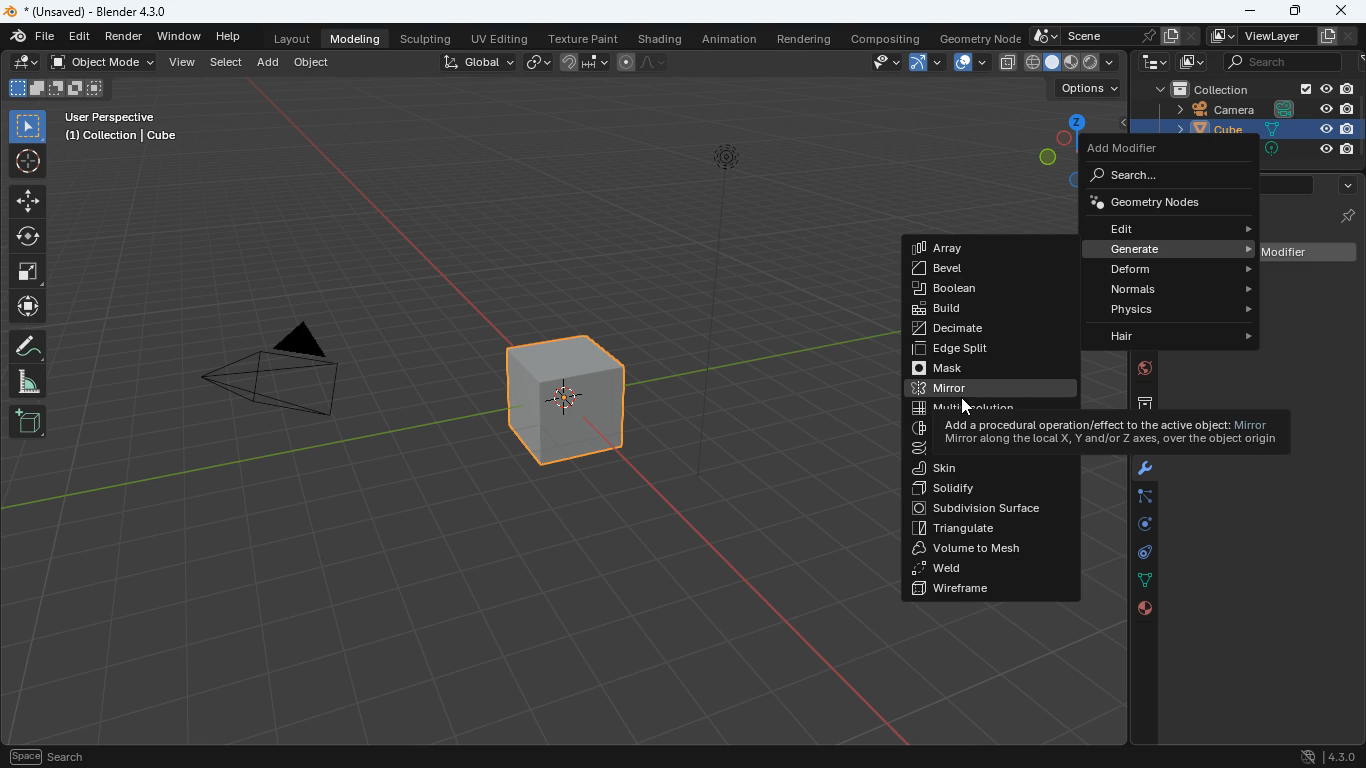 This screenshot has height=768, width=1366. What do you see at coordinates (26, 165) in the screenshot?
I see `aim` at bounding box center [26, 165].